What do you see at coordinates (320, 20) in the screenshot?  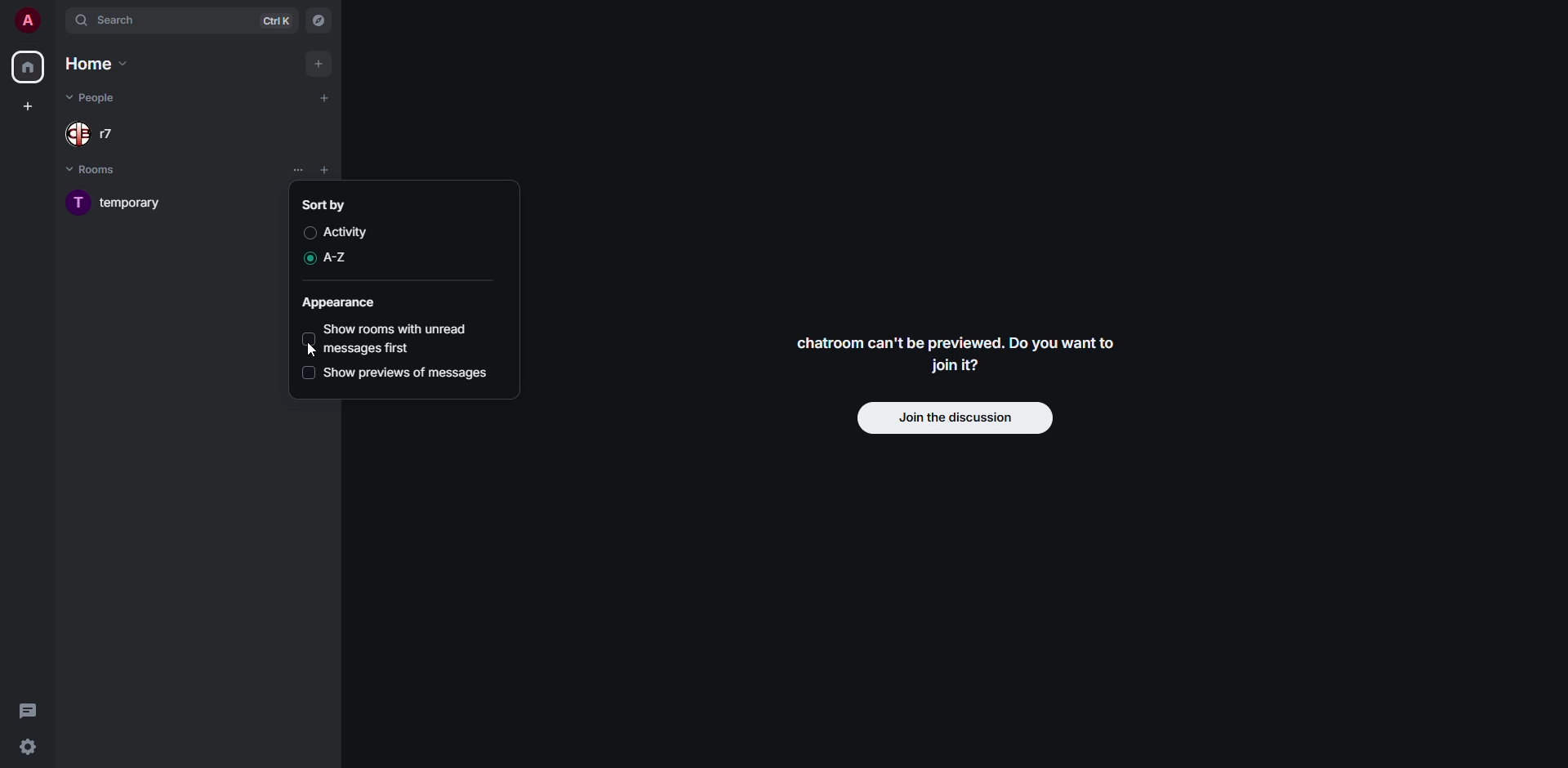 I see `navigator` at bounding box center [320, 20].